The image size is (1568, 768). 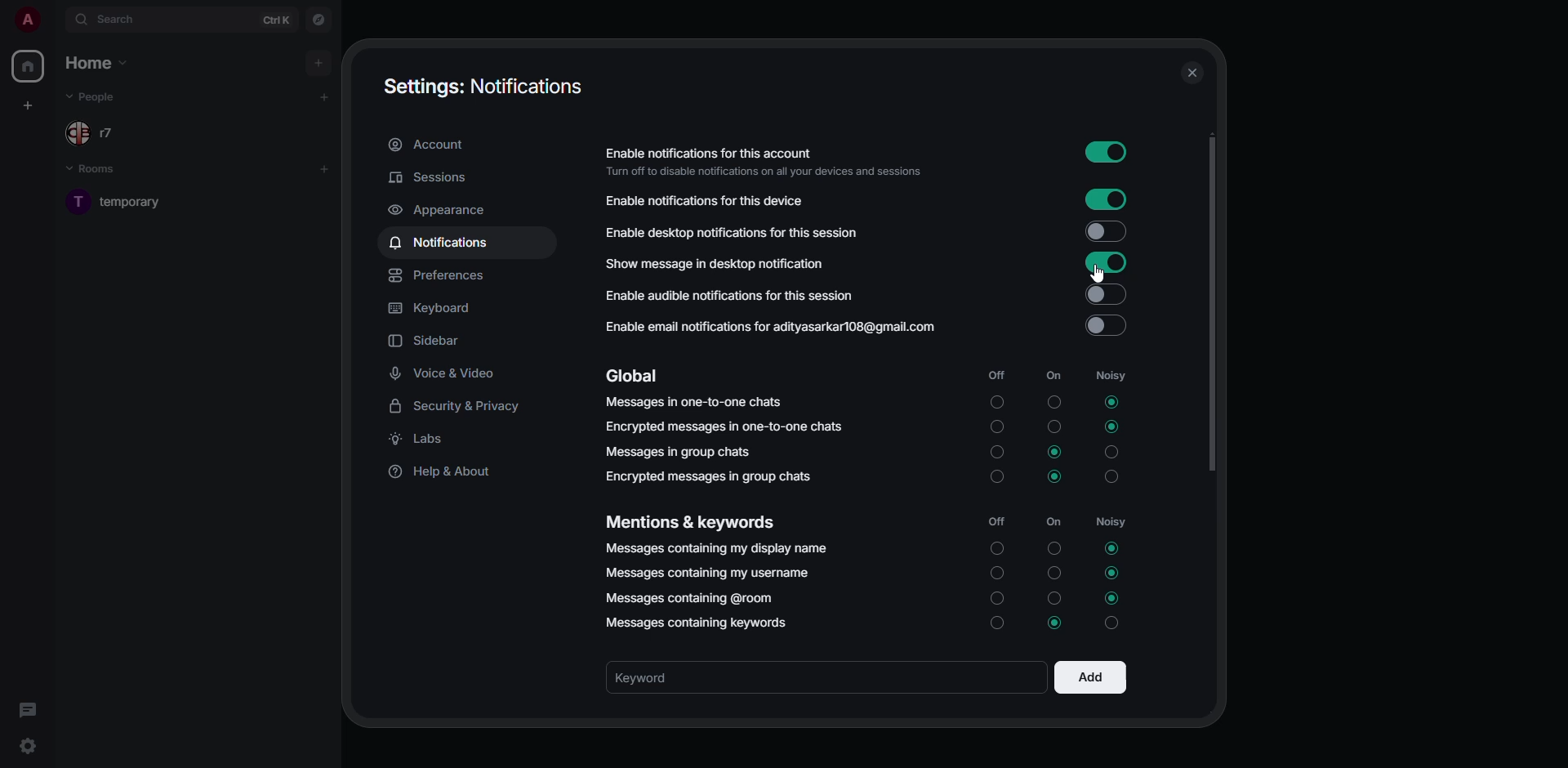 I want to click on turn on, so click(x=996, y=576).